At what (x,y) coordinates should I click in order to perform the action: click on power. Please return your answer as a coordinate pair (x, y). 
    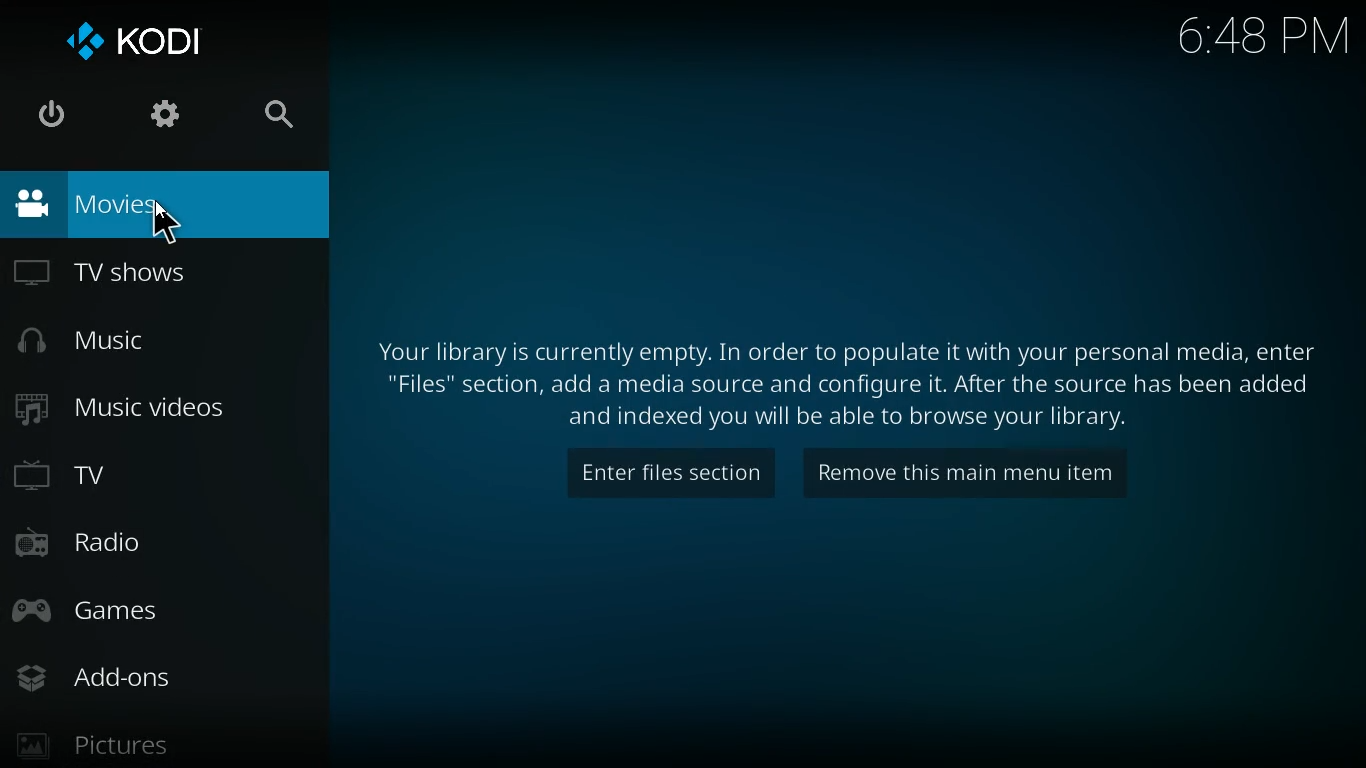
    Looking at the image, I should click on (51, 114).